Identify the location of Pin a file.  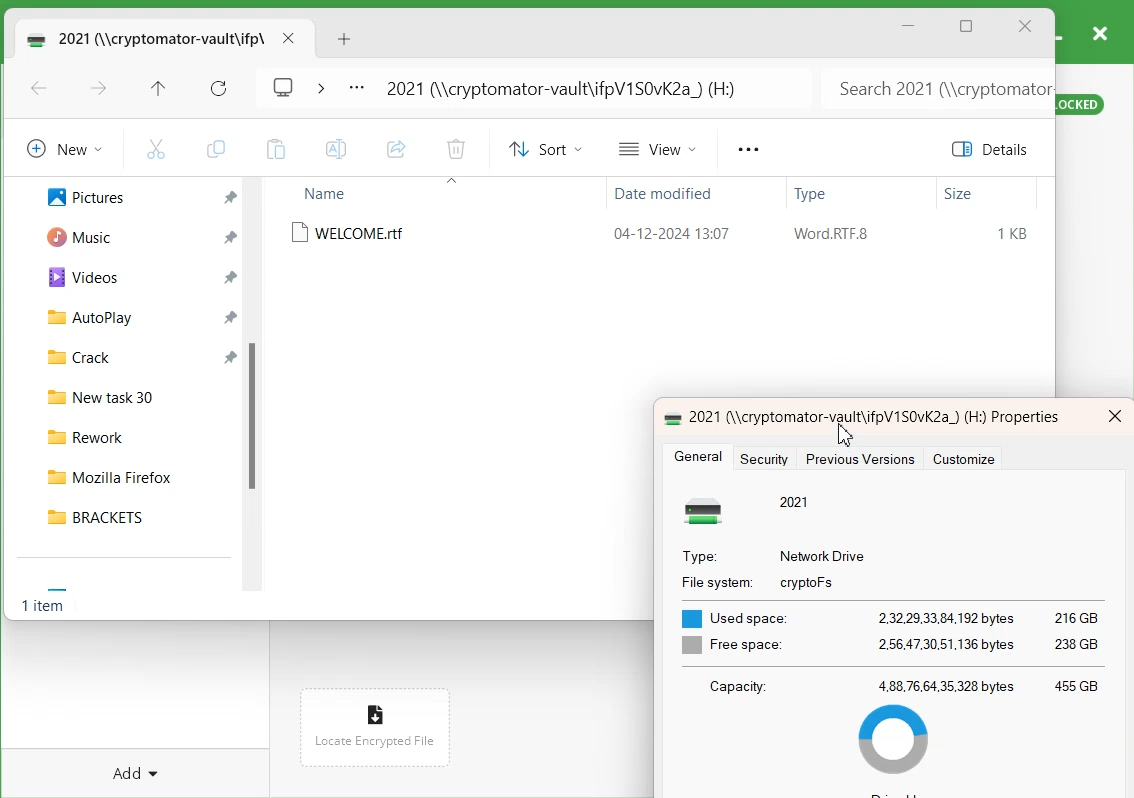
(230, 237).